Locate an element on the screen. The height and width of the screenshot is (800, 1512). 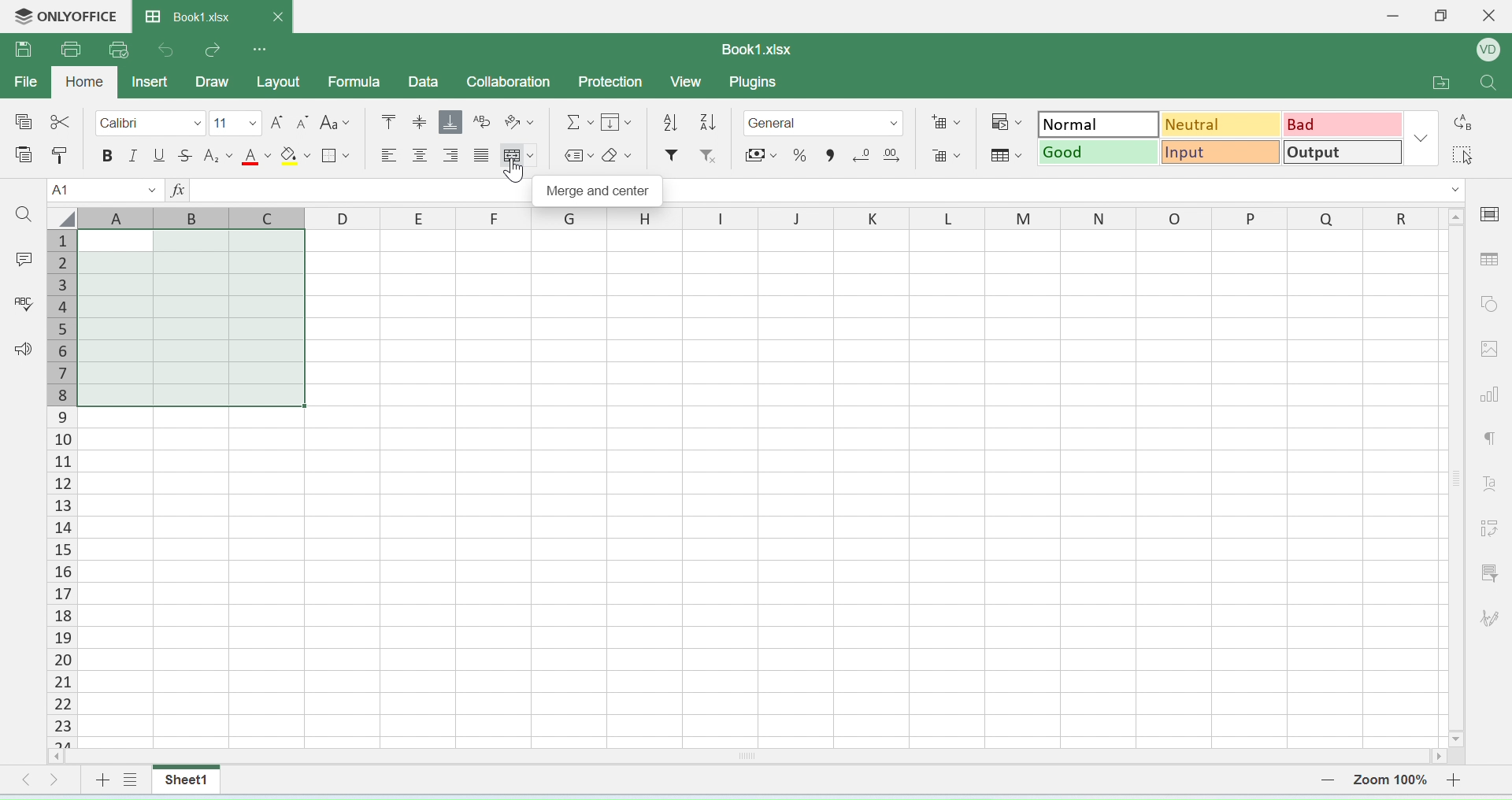
remove cells is located at coordinates (947, 152).